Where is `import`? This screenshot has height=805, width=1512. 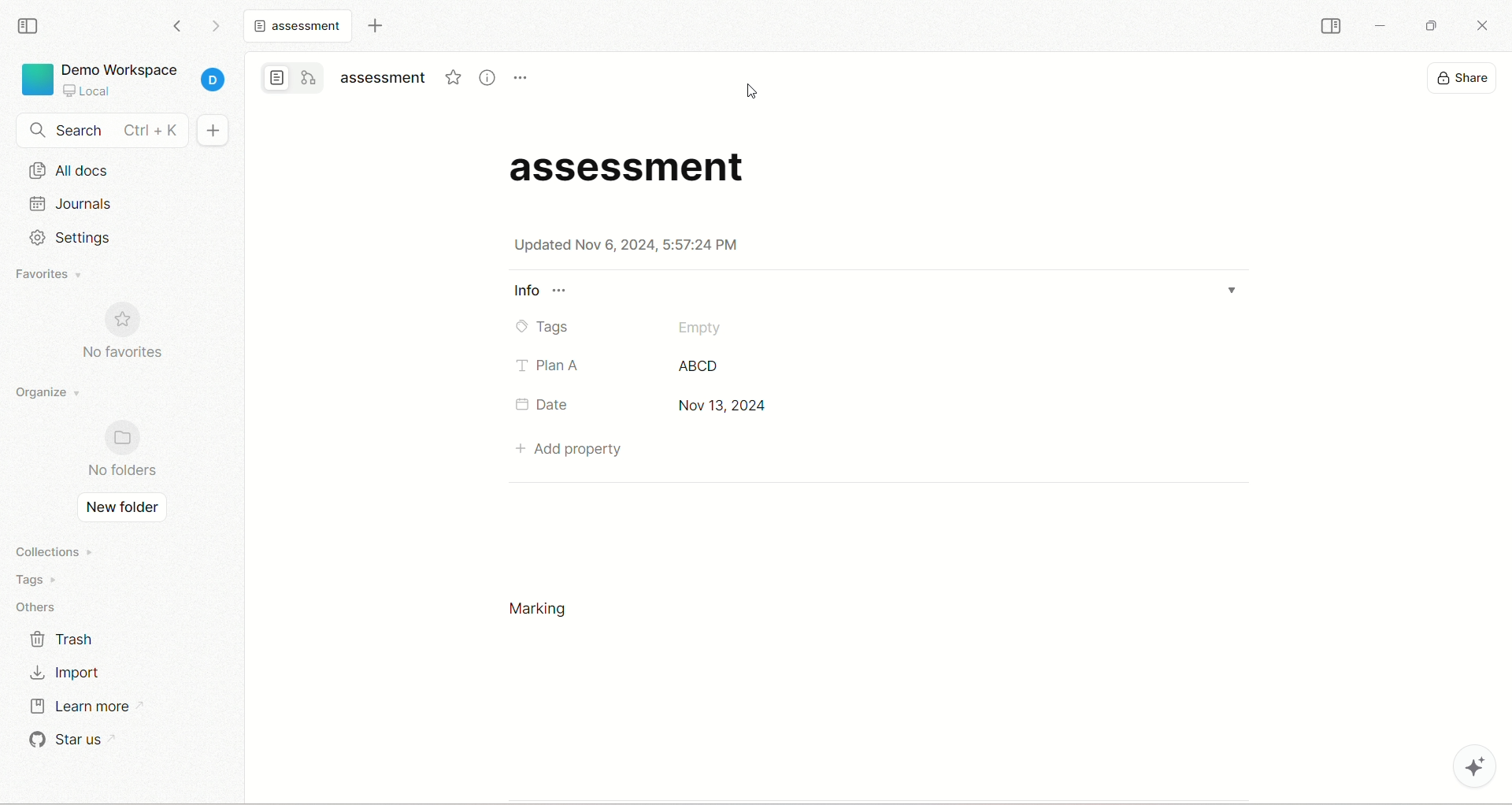 import is located at coordinates (69, 670).